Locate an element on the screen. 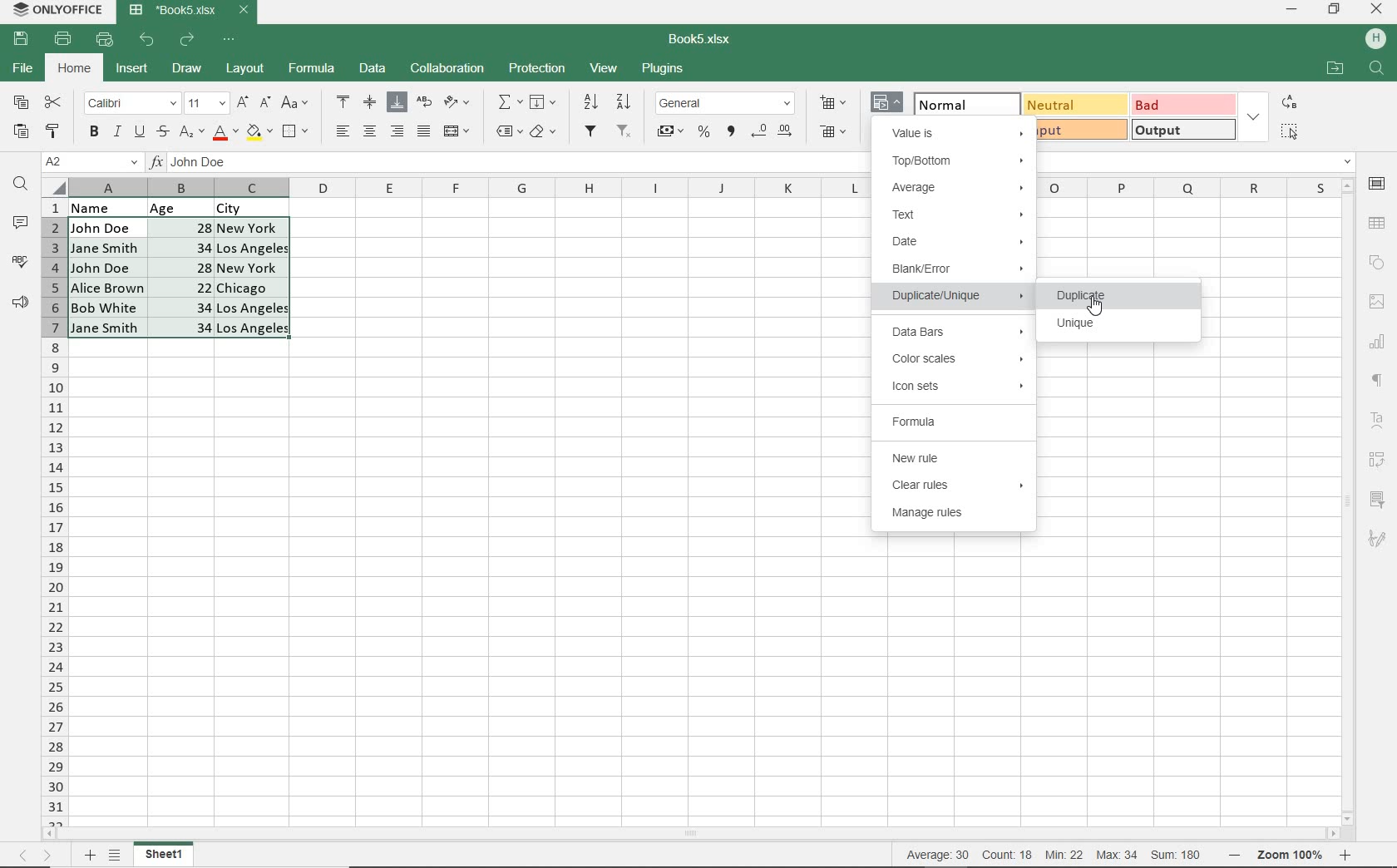  columns is located at coordinates (1187, 187).